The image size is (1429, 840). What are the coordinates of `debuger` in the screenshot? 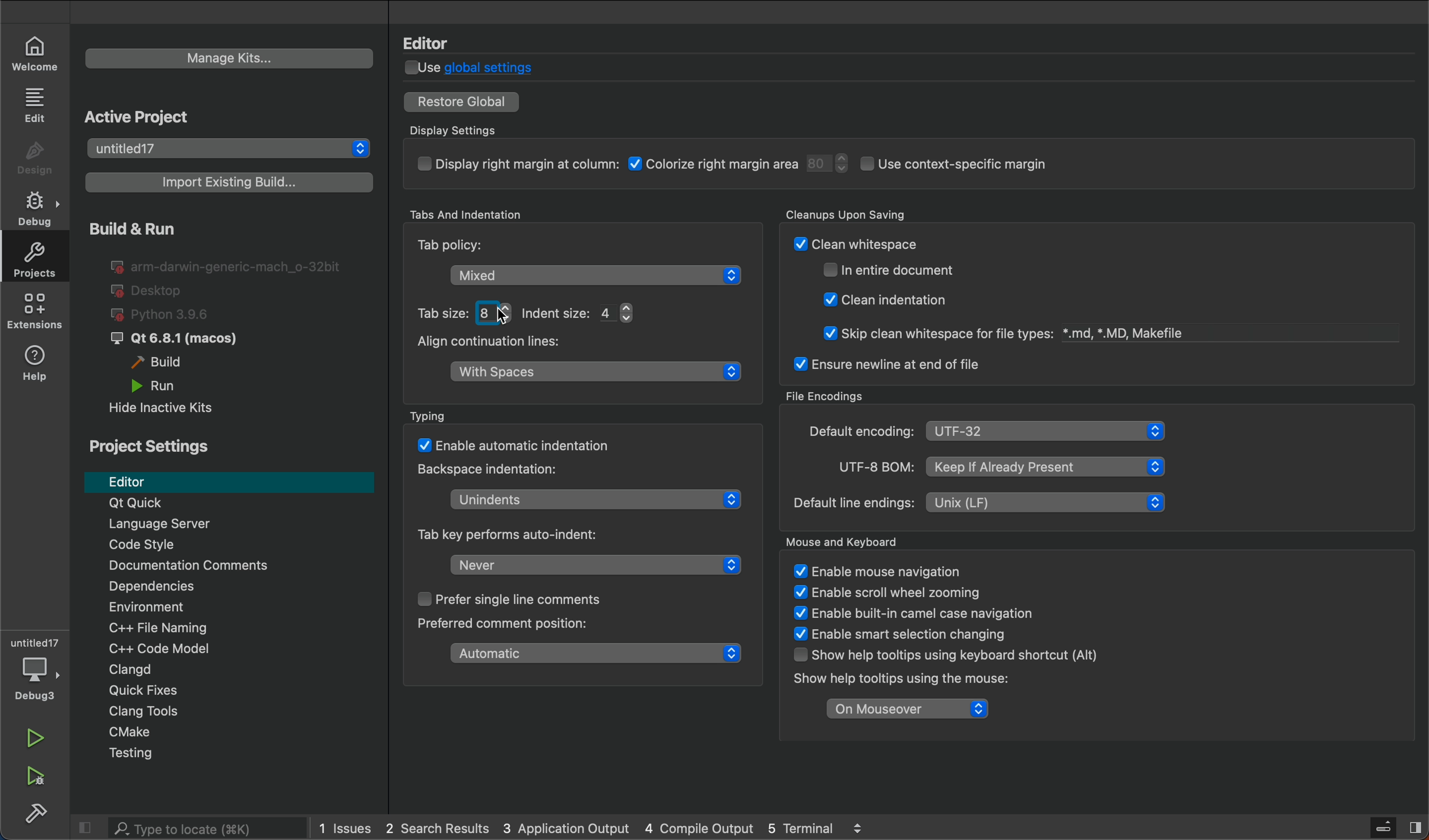 It's located at (35, 673).